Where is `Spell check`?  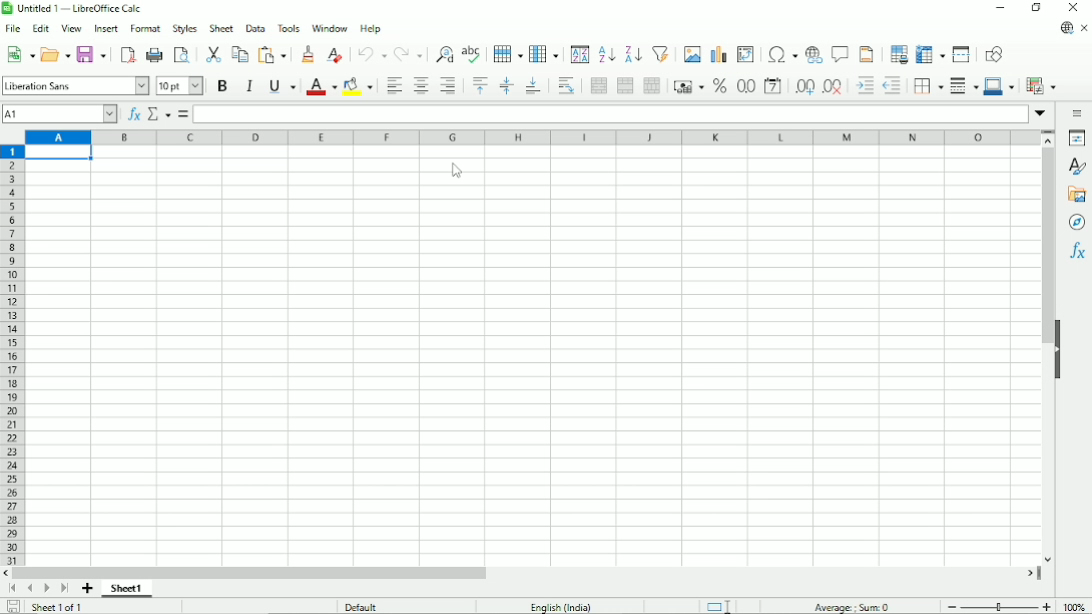
Spell check is located at coordinates (471, 53).